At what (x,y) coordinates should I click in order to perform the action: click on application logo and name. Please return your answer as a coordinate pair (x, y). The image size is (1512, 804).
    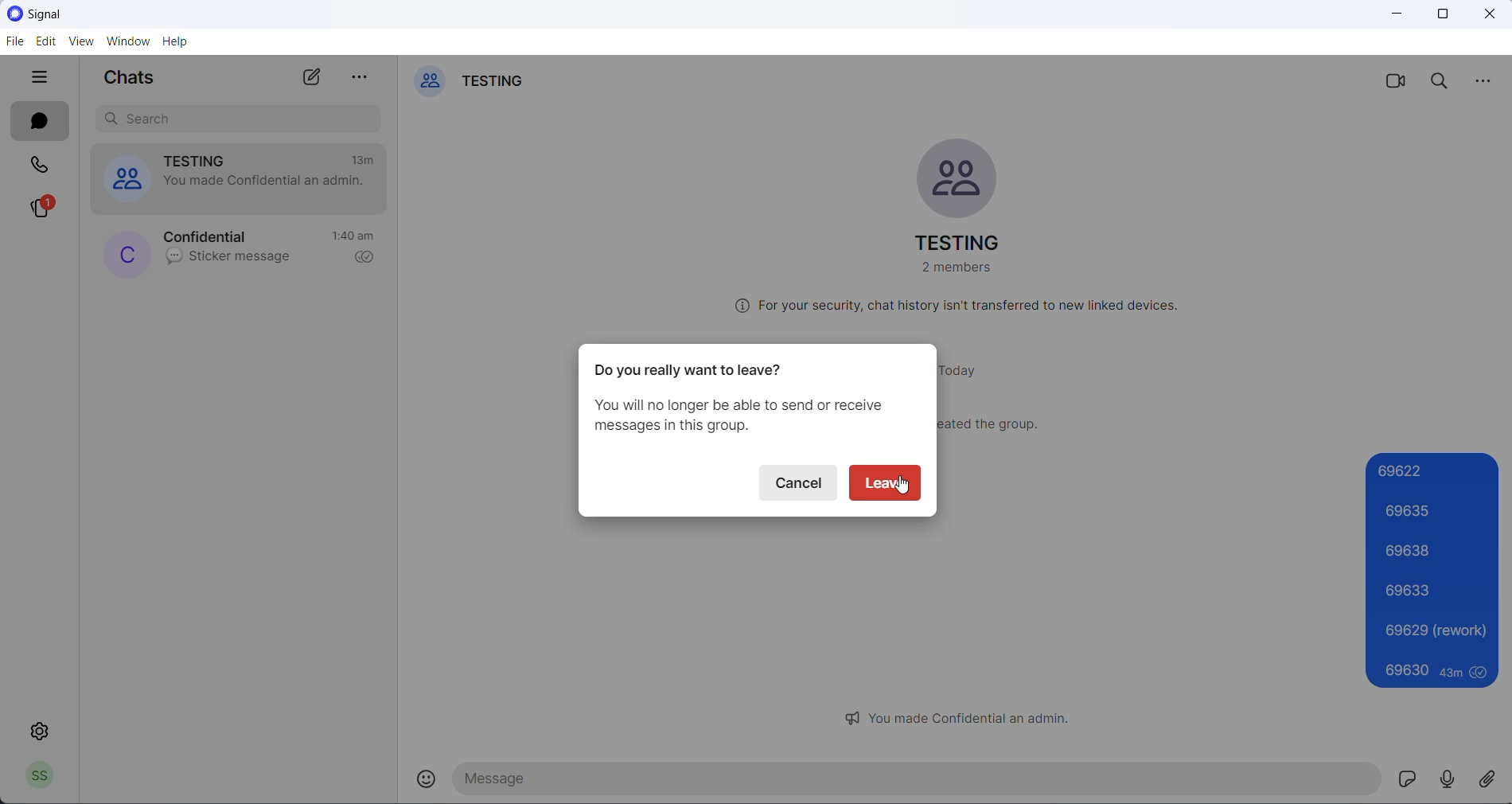
    Looking at the image, I should click on (64, 14).